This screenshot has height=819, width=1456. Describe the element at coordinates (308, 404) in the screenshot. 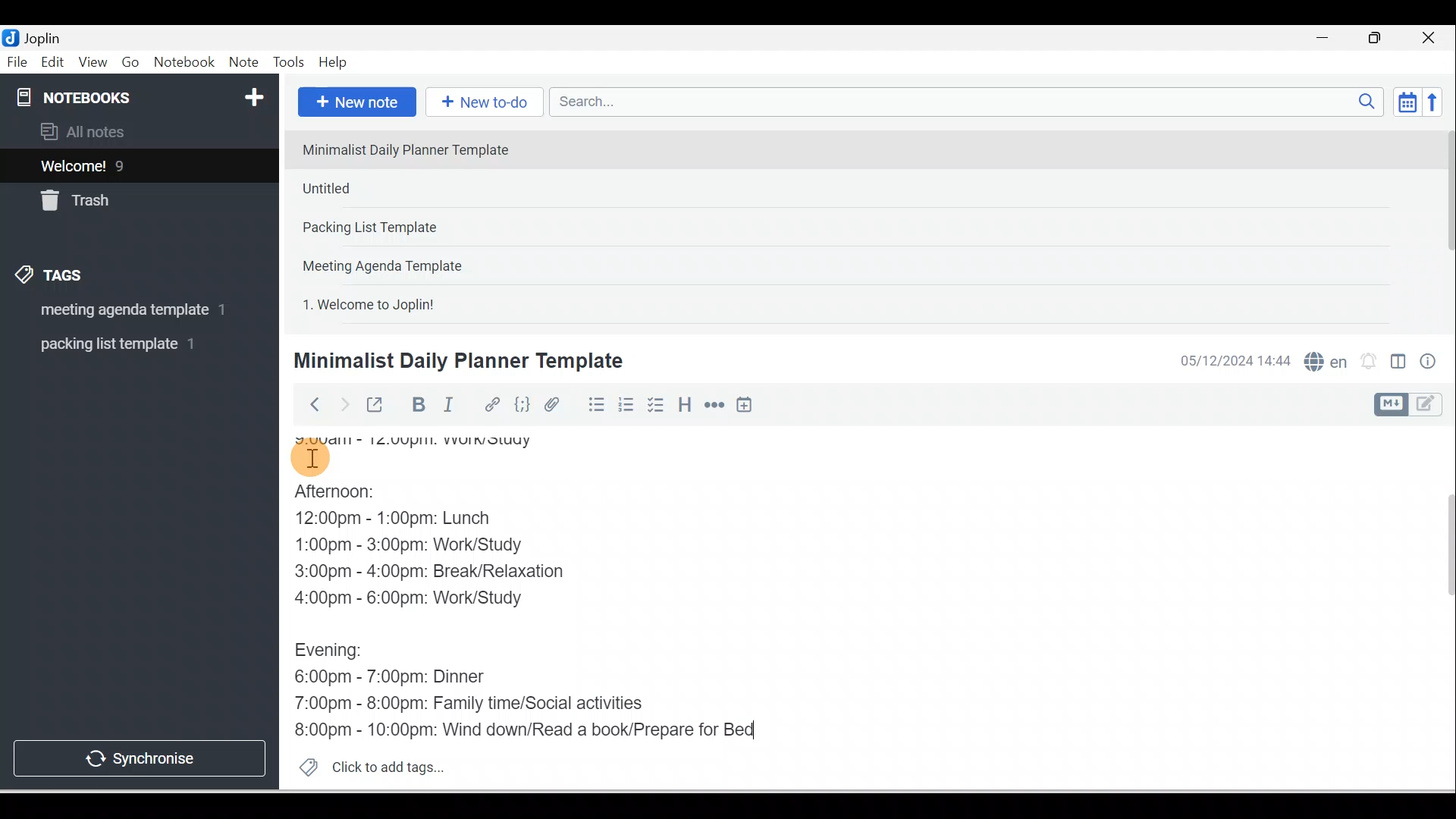

I see `Back` at that location.